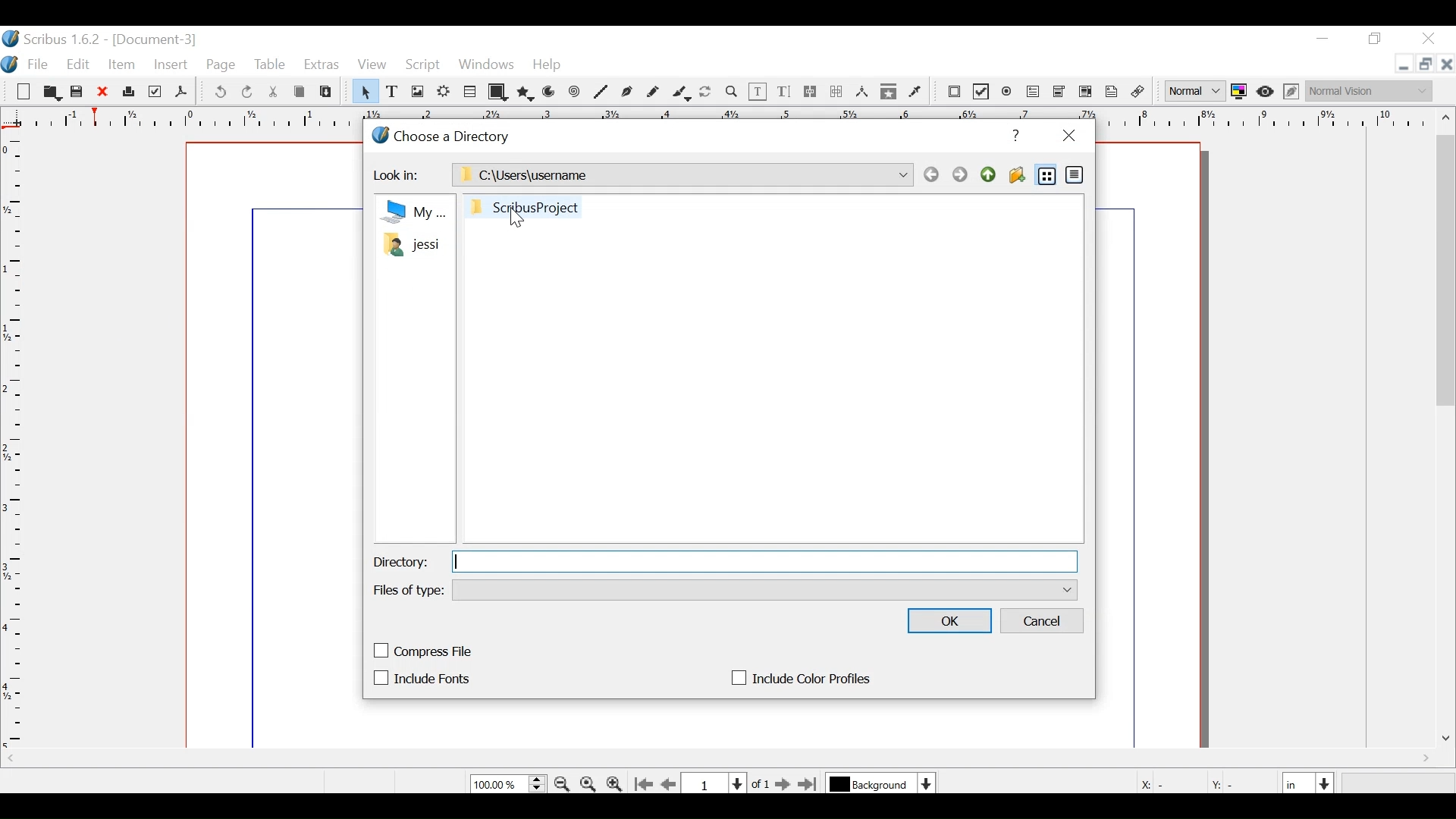 This screenshot has width=1456, height=819. Describe the element at coordinates (1220, 782) in the screenshot. I see `Y:` at that location.